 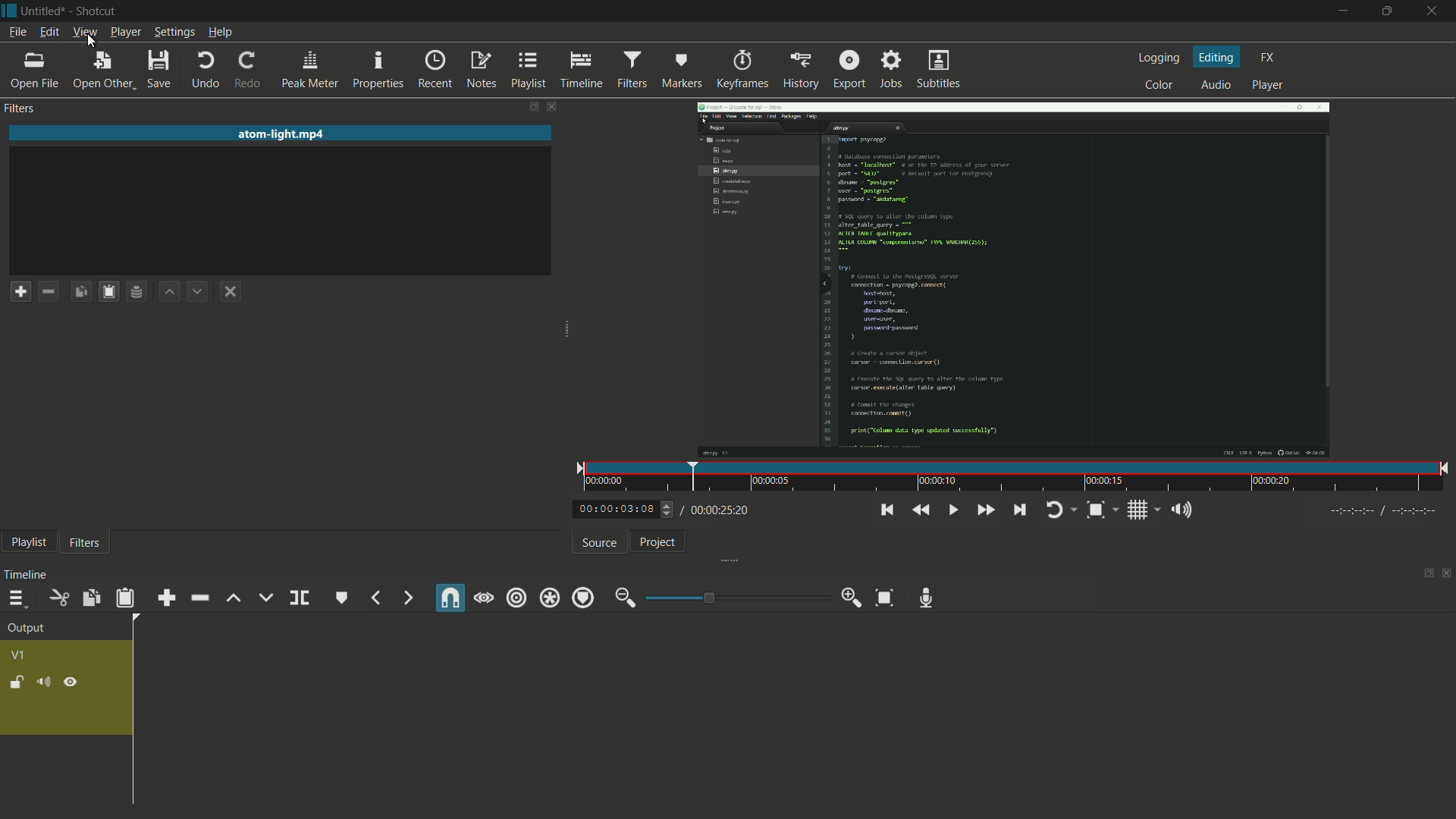 I want to click on timeline menu, so click(x=14, y=598).